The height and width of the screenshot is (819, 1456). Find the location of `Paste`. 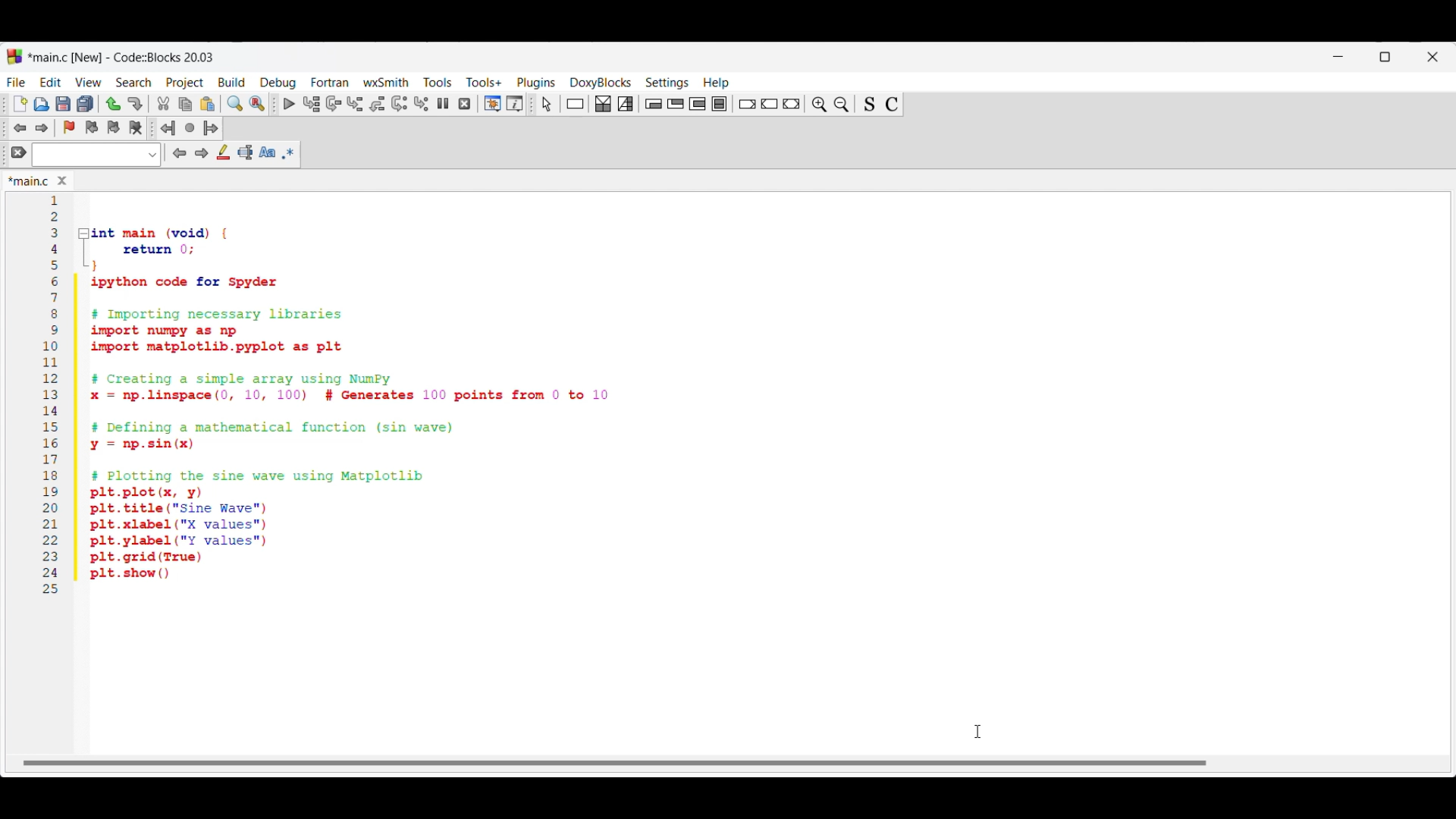

Paste is located at coordinates (208, 104).